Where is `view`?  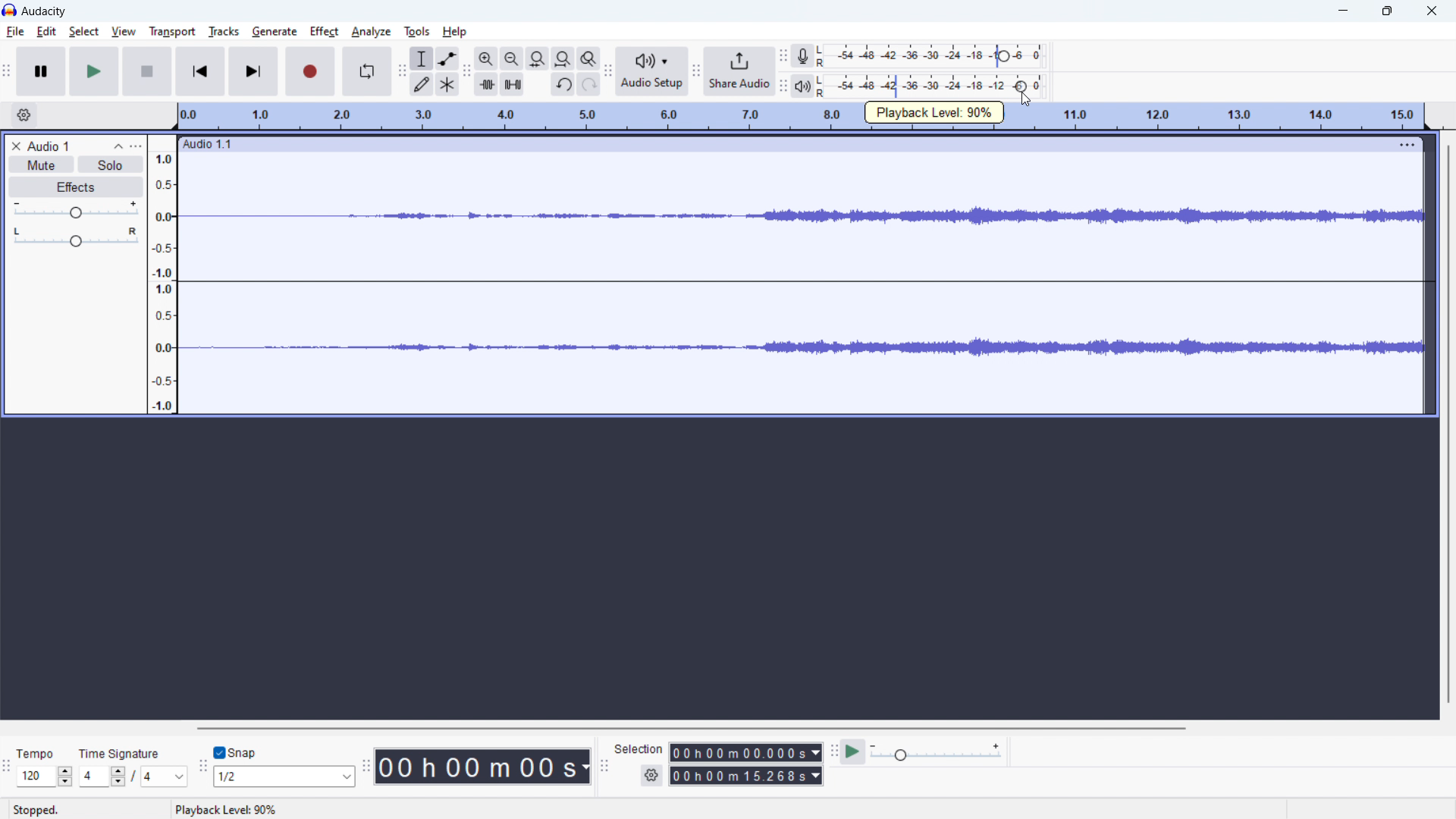 view is located at coordinates (124, 31).